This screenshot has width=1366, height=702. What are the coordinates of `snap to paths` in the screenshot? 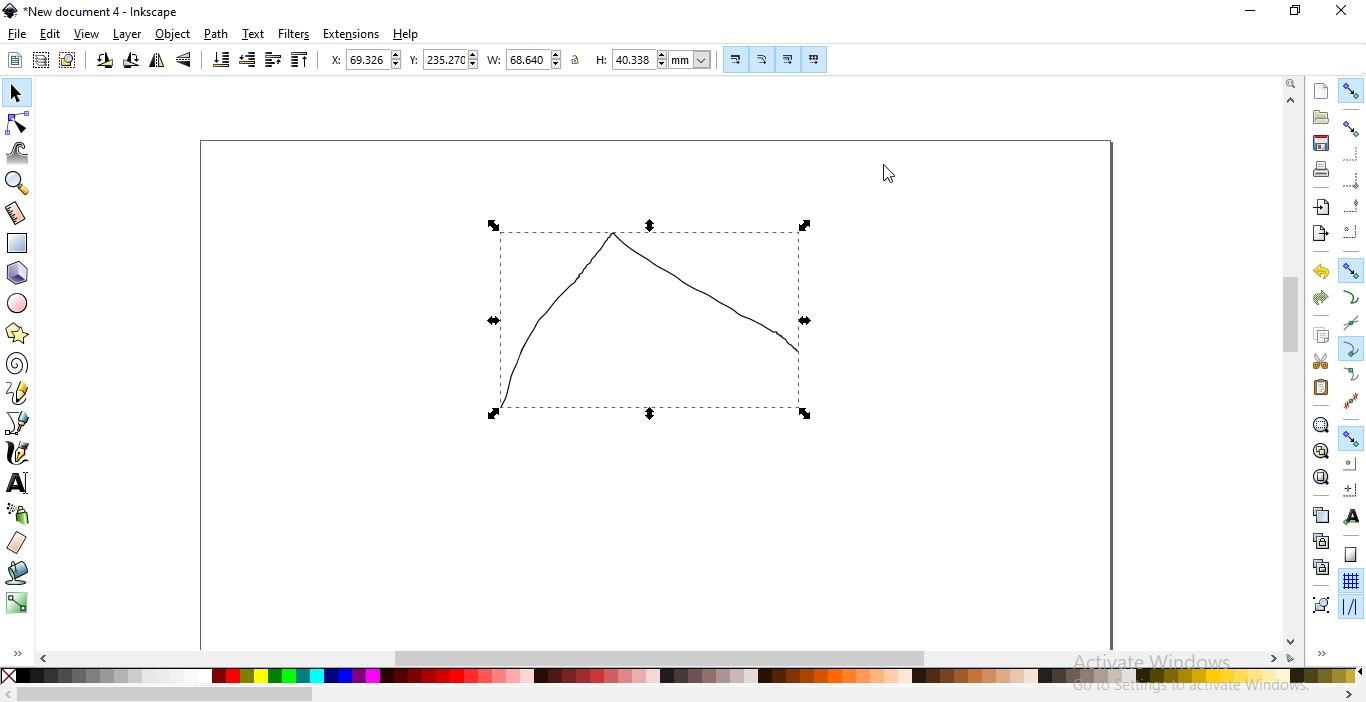 It's located at (1350, 297).